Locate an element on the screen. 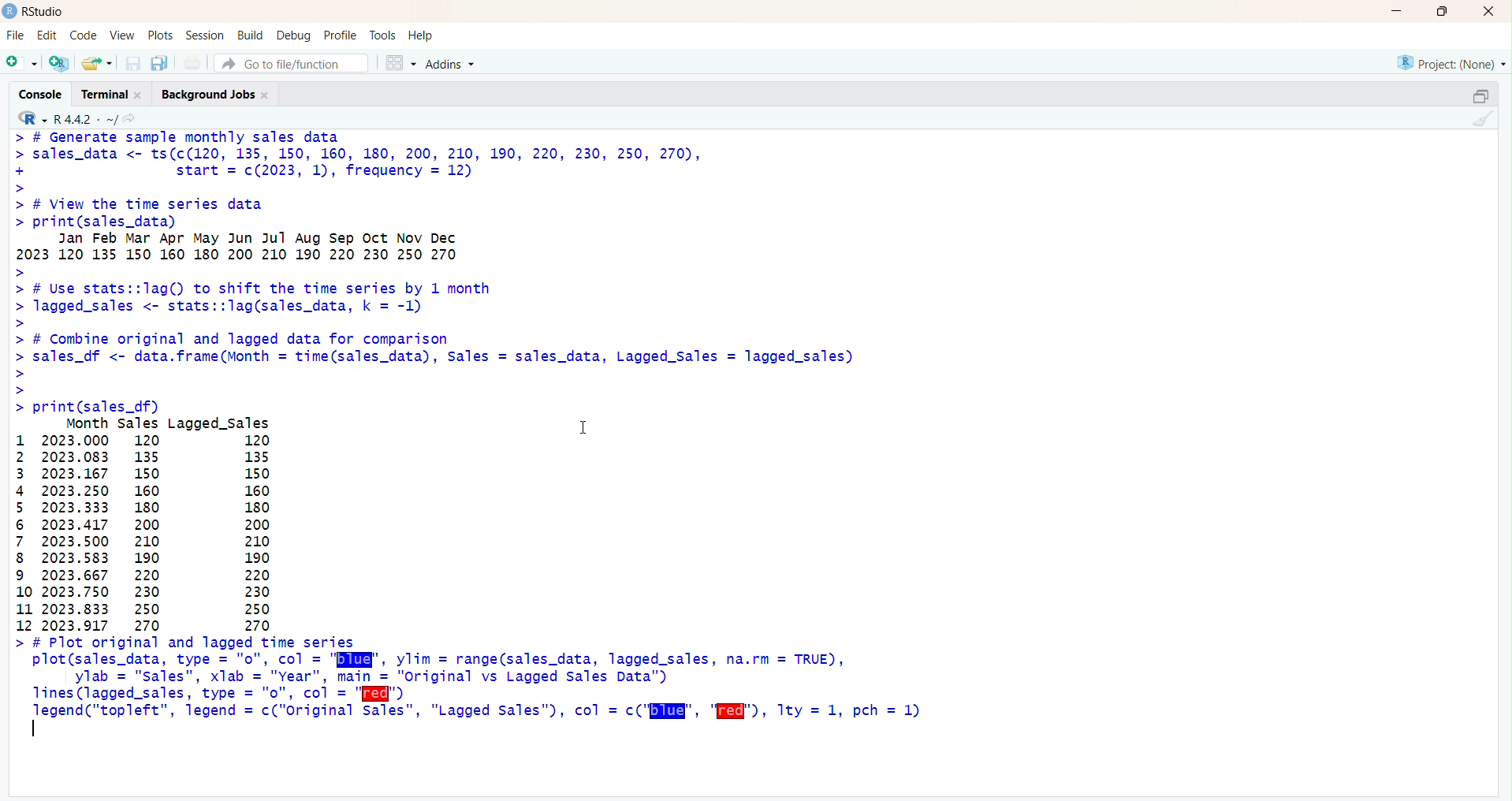 This screenshot has width=1512, height=801. > # Plot original and lagged time series
plot(sales_data, type = "o", col = "EHH", ylim = range(sales_data, lagged_sales, na.rm = TRUE),
ylab = "sales", xlab = "Year", main = "Original vs Lagged Sales Data")
Tines (lagged_sales, type = "o", col = "[{")
| FoendCeorTefes legend = c("original sales", "Lagged Sales"), col = c('ENER", "WE", ty = 1, pch = 1) is located at coordinates (497, 690).